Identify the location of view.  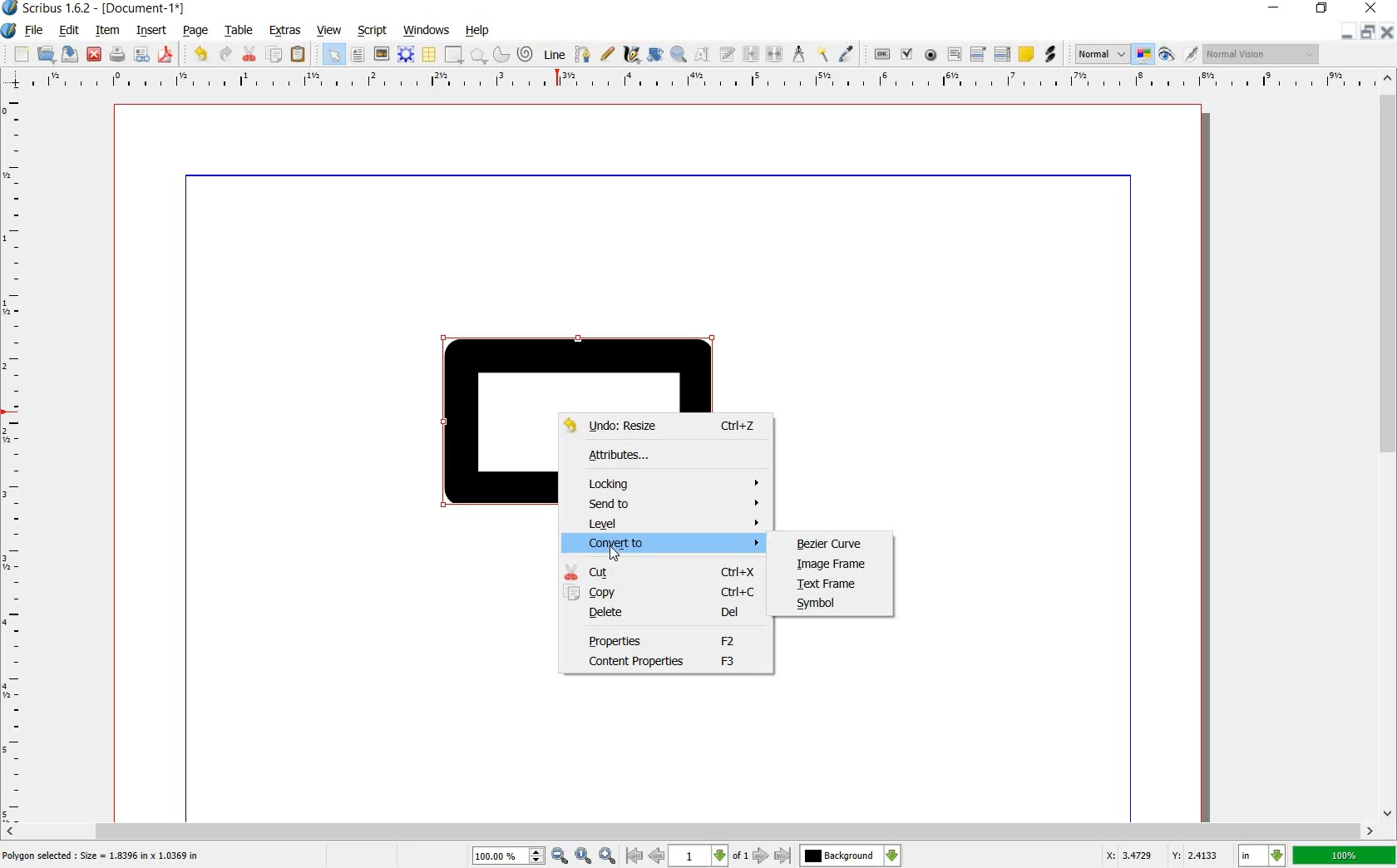
(329, 32).